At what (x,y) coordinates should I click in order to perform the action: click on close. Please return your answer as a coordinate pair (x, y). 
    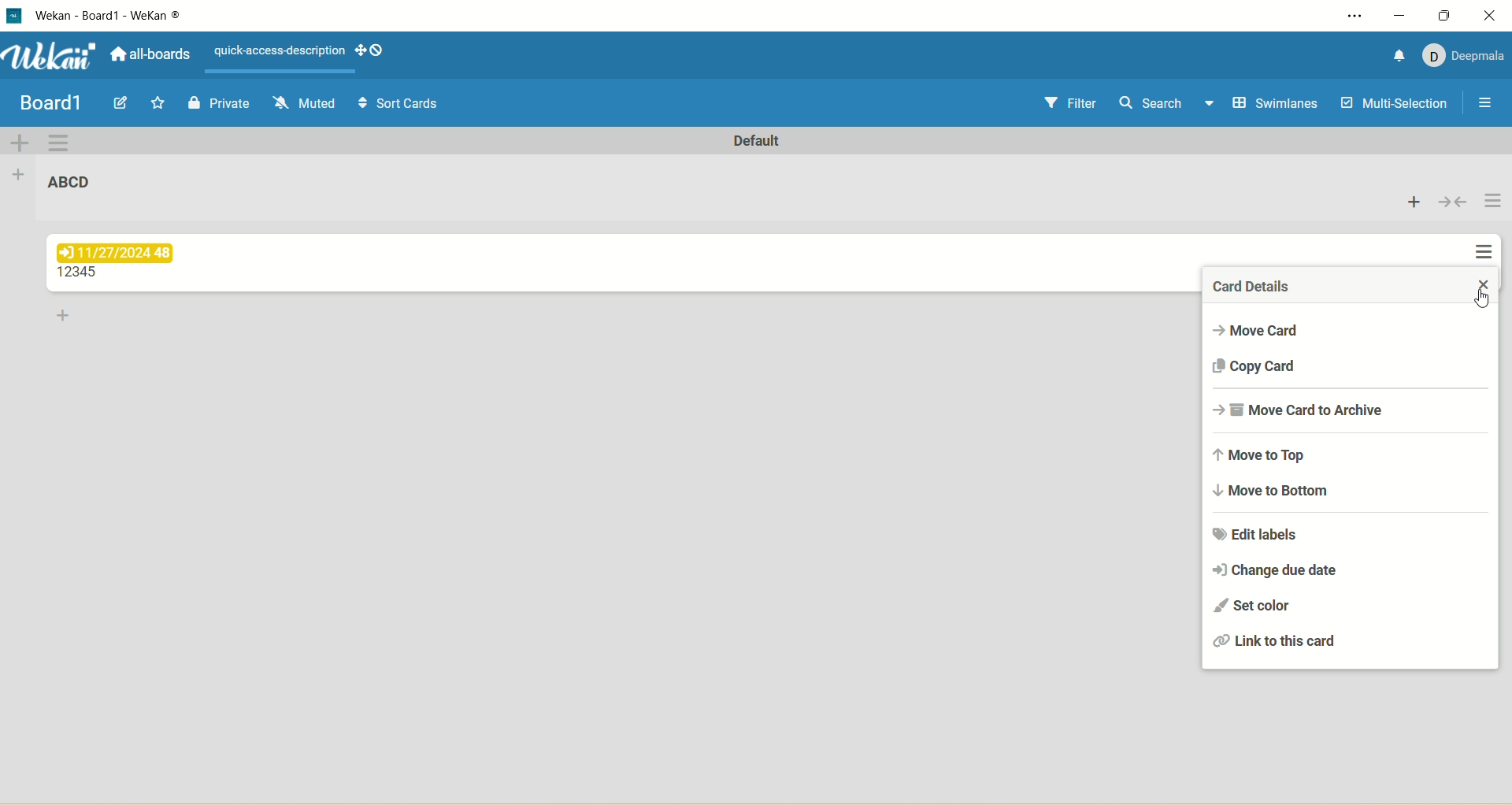
    Looking at the image, I should click on (1481, 285).